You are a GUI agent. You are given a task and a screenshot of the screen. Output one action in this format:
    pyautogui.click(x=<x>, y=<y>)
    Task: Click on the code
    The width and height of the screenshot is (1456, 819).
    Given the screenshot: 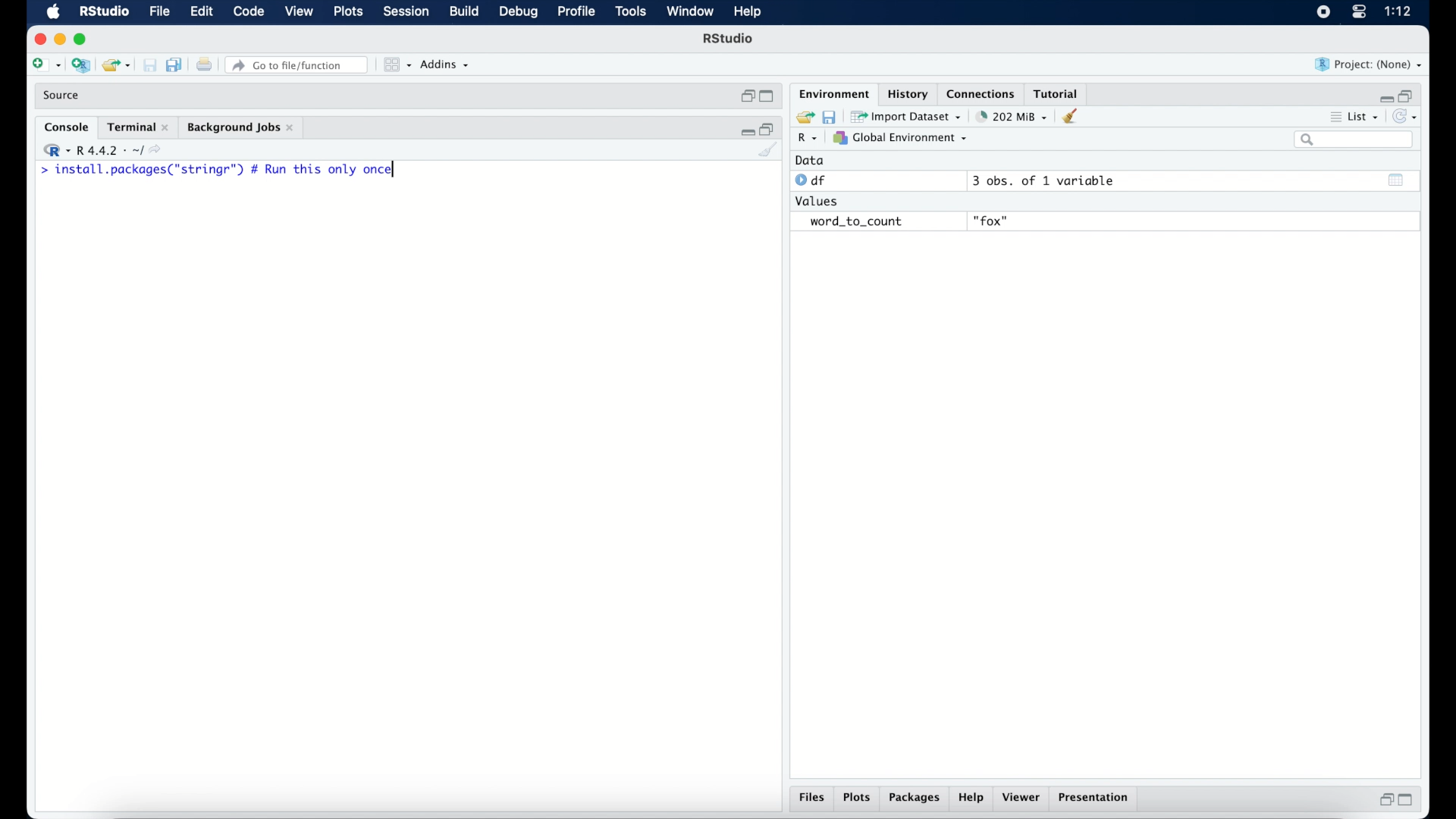 What is the action you would take?
    pyautogui.click(x=249, y=12)
    